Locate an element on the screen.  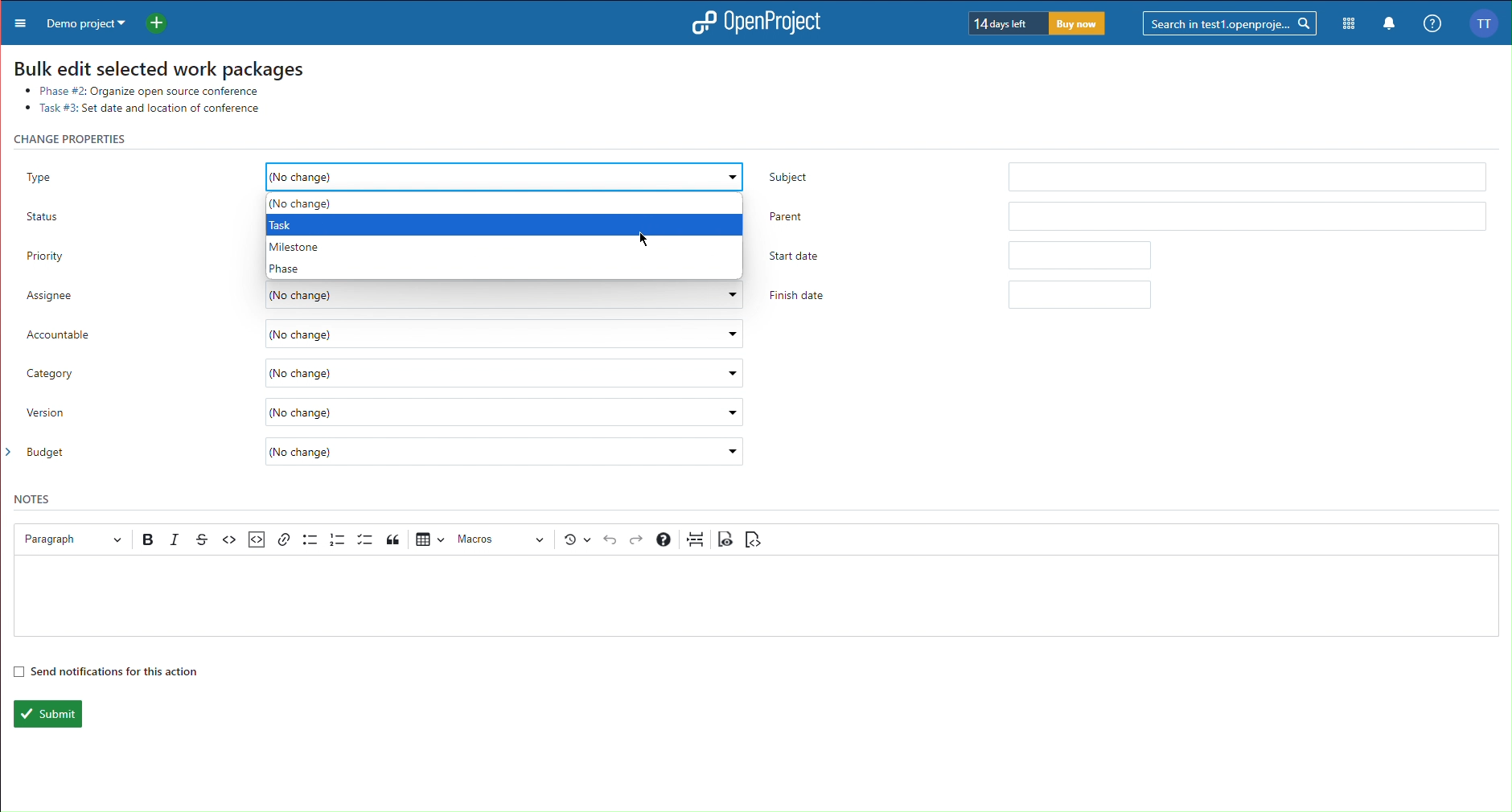
Send notifications for this action is located at coordinates (105, 671).